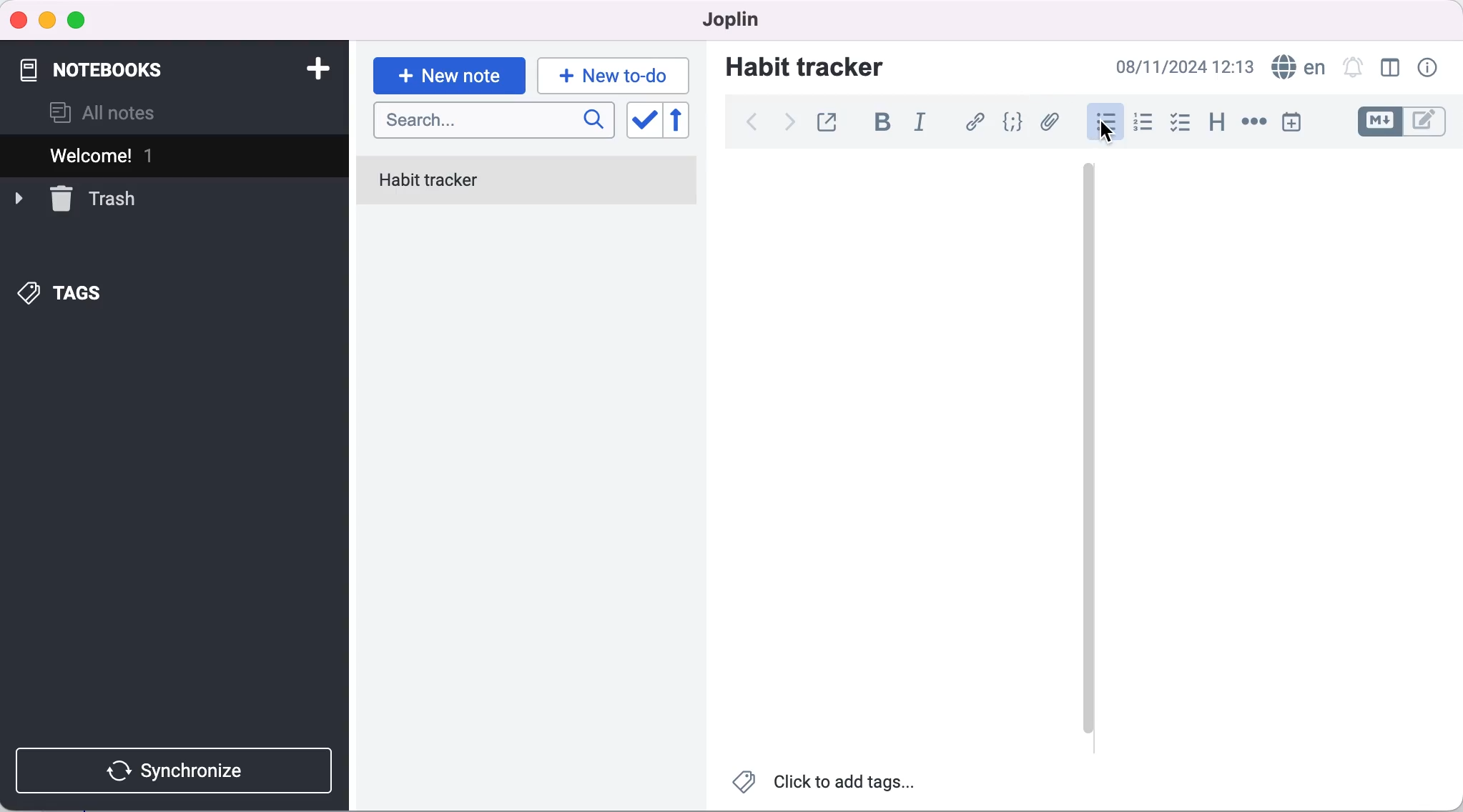 The height and width of the screenshot is (812, 1463). I want to click on note properties, so click(1429, 68).